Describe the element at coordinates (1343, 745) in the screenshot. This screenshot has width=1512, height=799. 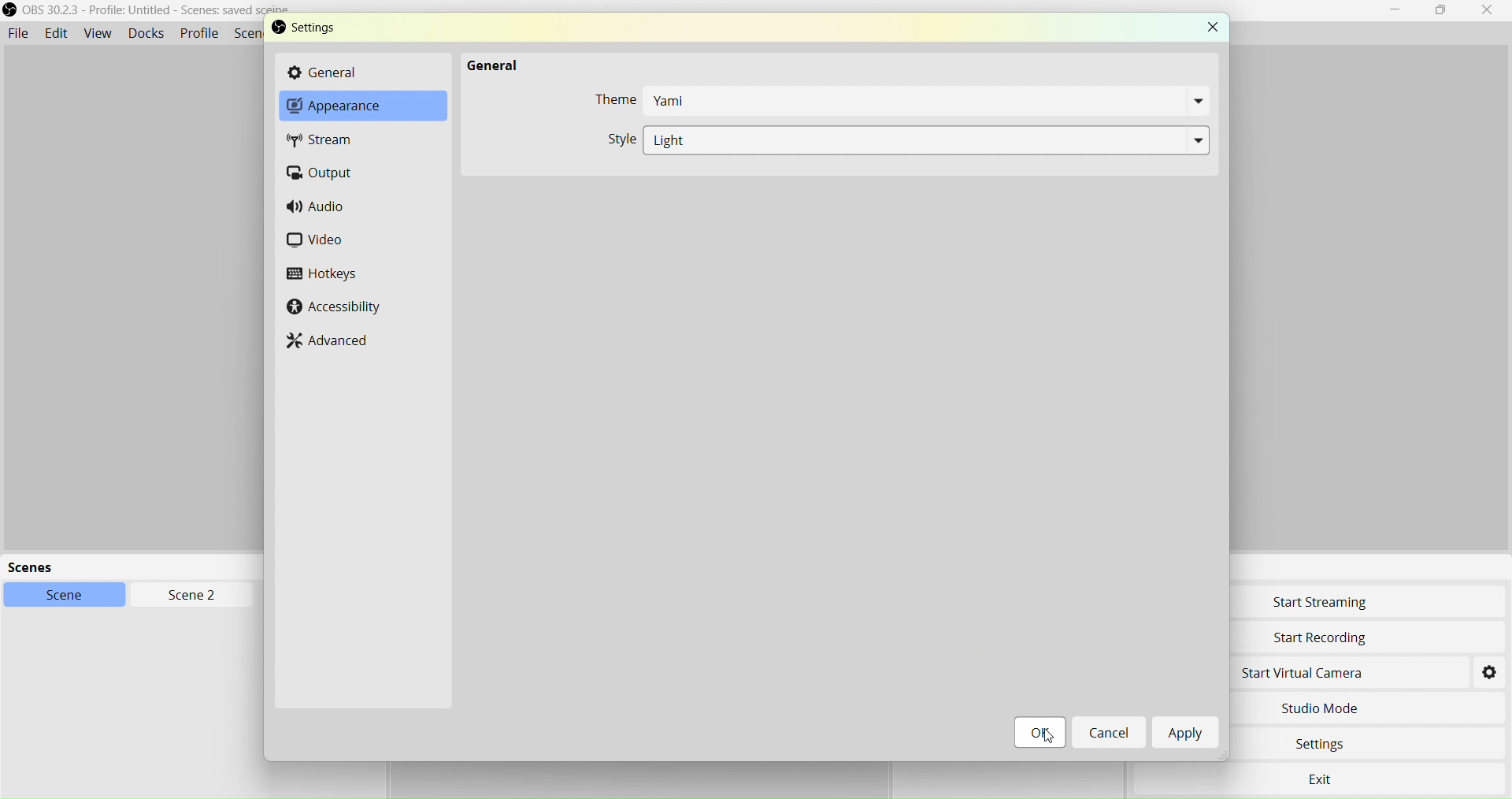
I see `Settings` at that location.